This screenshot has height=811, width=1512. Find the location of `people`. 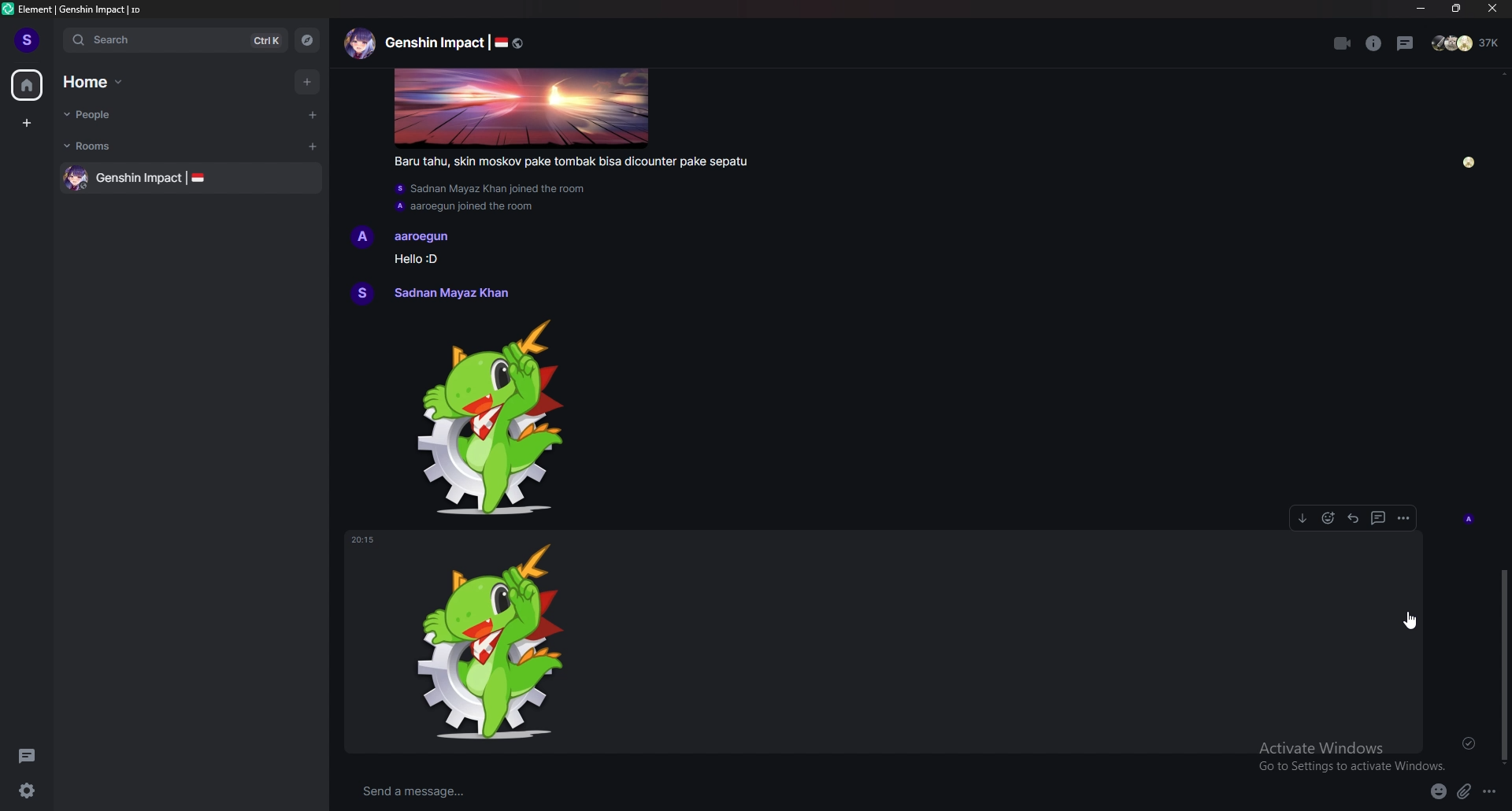

people is located at coordinates (1467, 43).